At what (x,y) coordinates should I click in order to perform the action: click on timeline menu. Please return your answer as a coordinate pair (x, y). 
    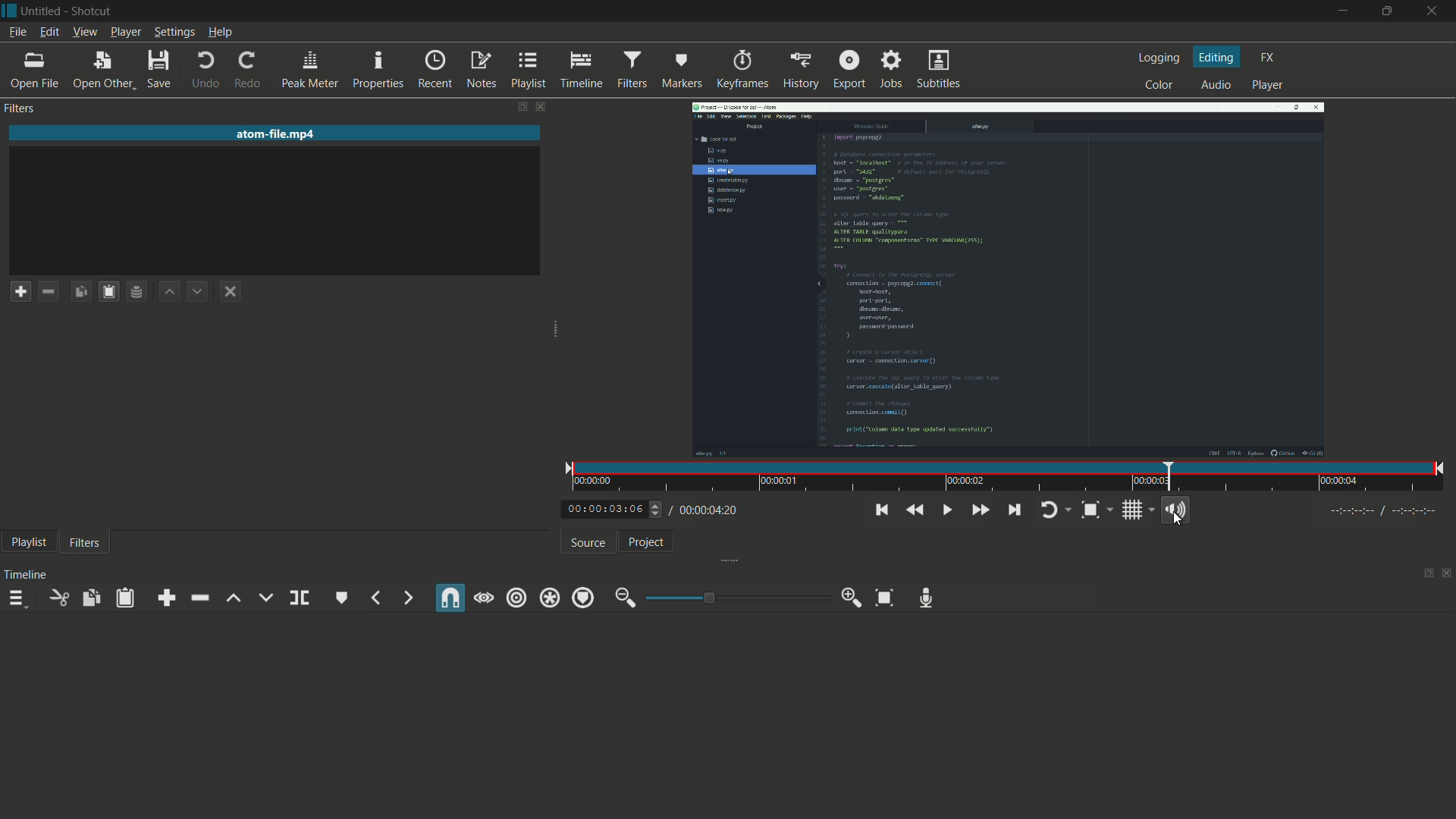
    Looking at the image, I should click on (14, 599).